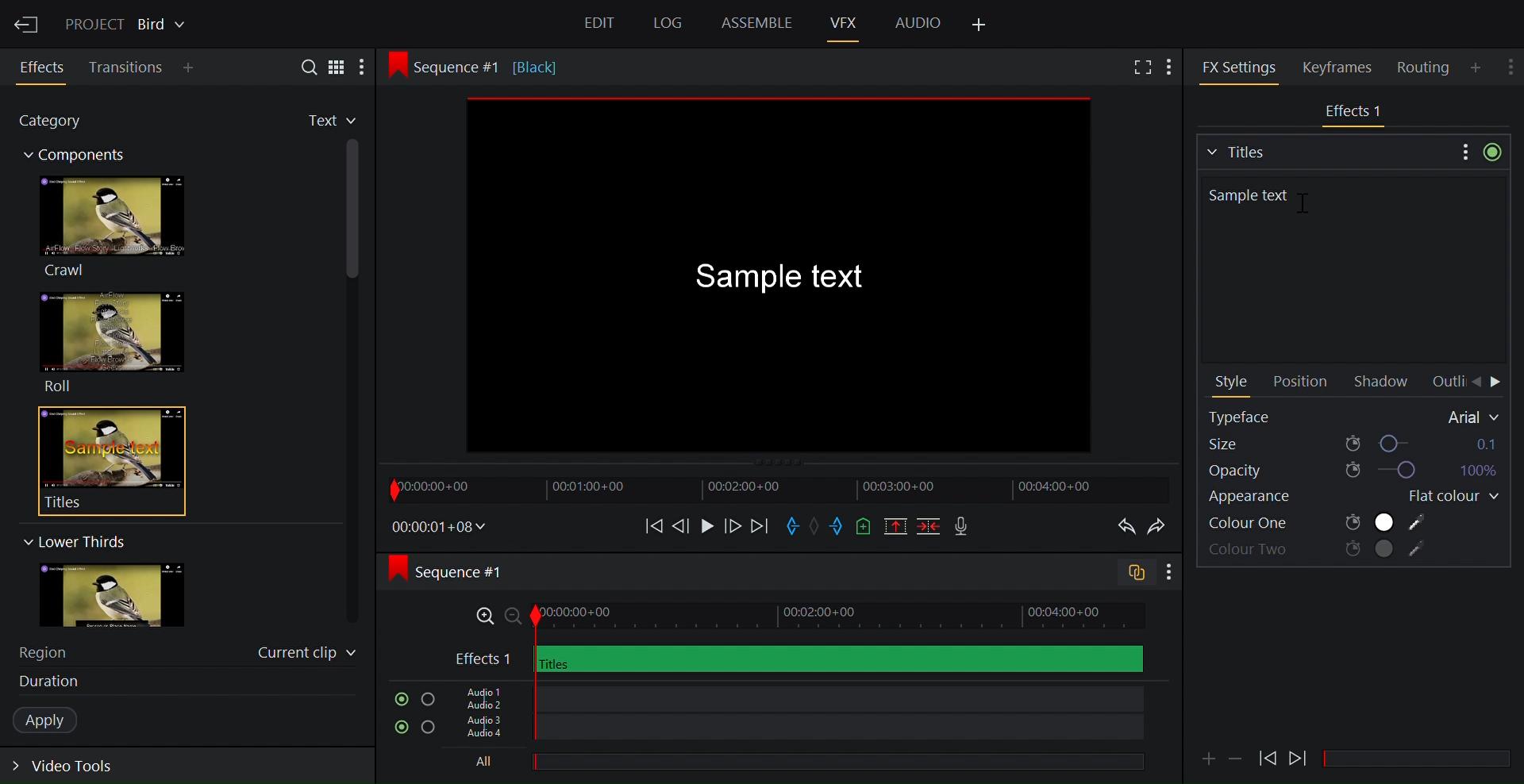  What do you see at coordinates (1344, 67) in the screenshot?
I see `Keyframes` at bounding box center [1344, 67].